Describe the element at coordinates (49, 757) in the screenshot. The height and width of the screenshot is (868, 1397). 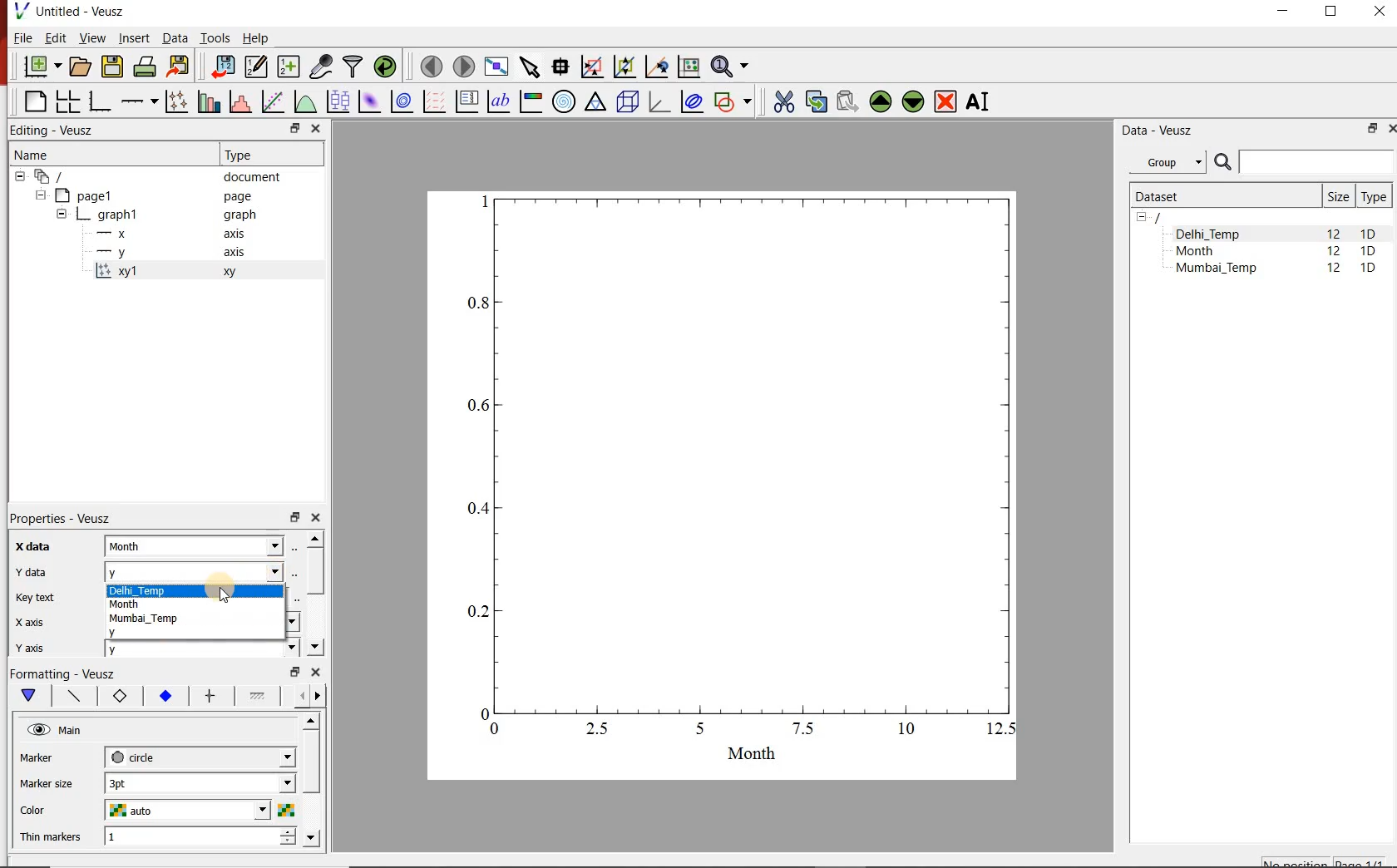
I see `marker` at that location.